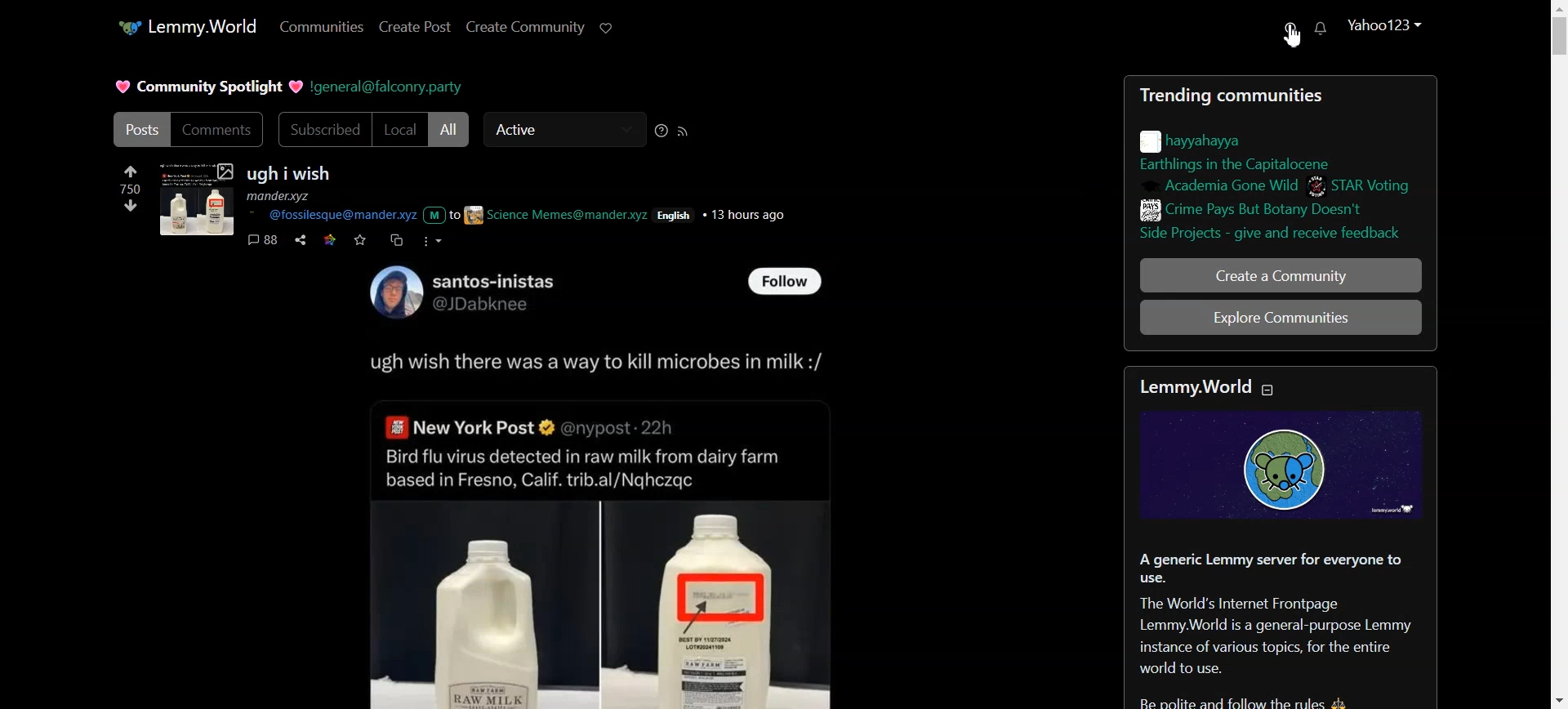 The image size is (1568, 709). I want to click on Text, so click(291, 183).